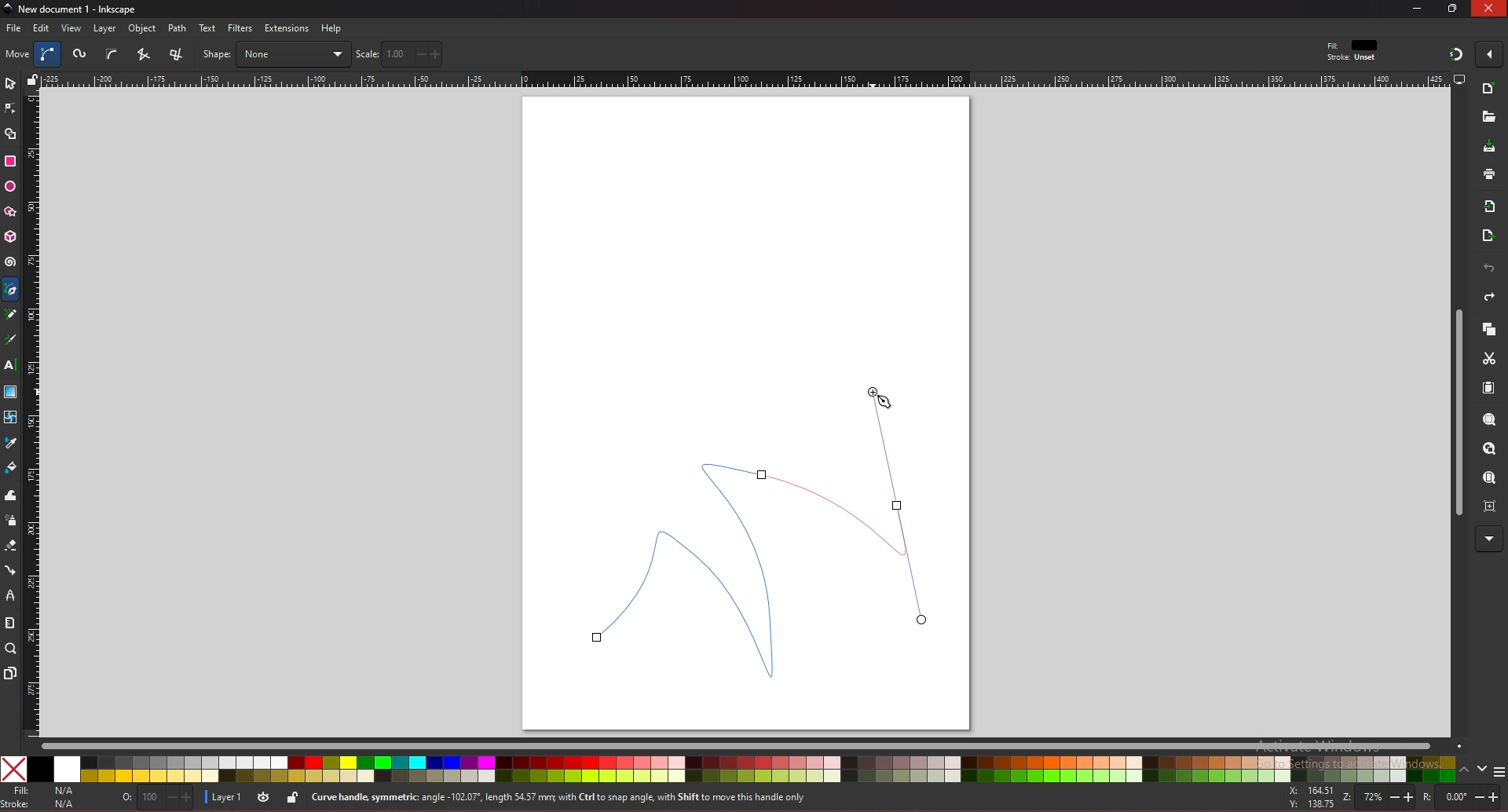  Describe the element at coordinates (1489, 269) in the screenshot. I see `undo` at that location.